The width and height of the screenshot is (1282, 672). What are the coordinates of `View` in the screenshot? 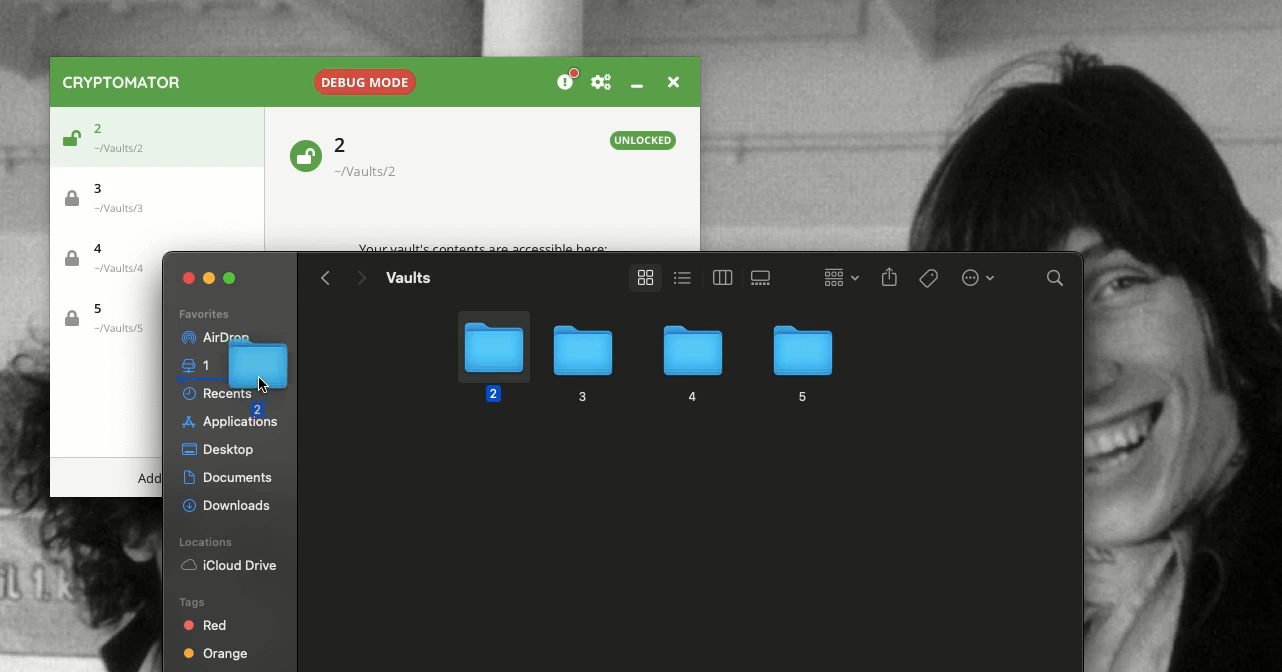 It's located at (641, 278).